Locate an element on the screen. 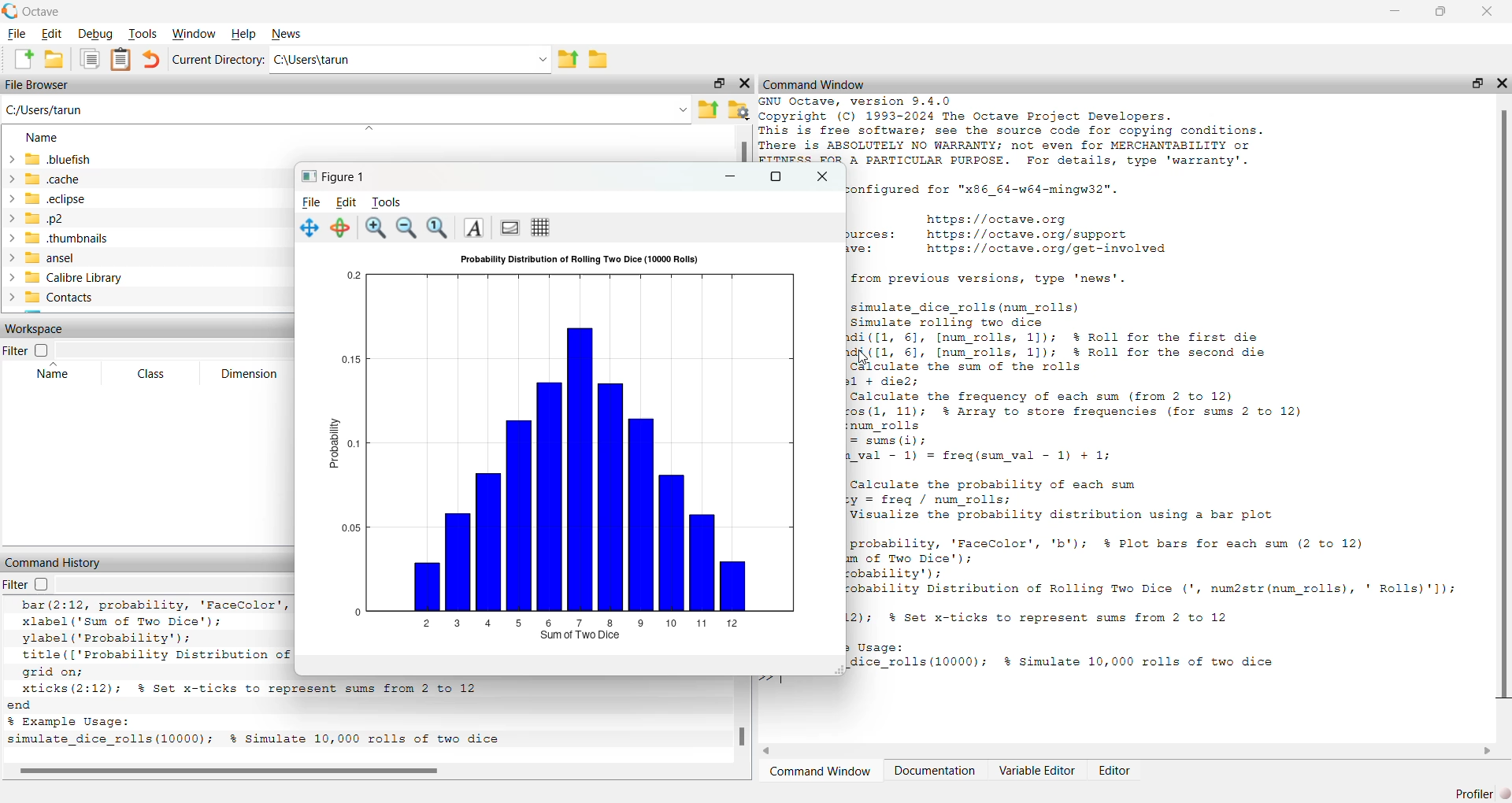 This screenshot has width=1512, height=803. maximise is located at coordinates (1443, 15).